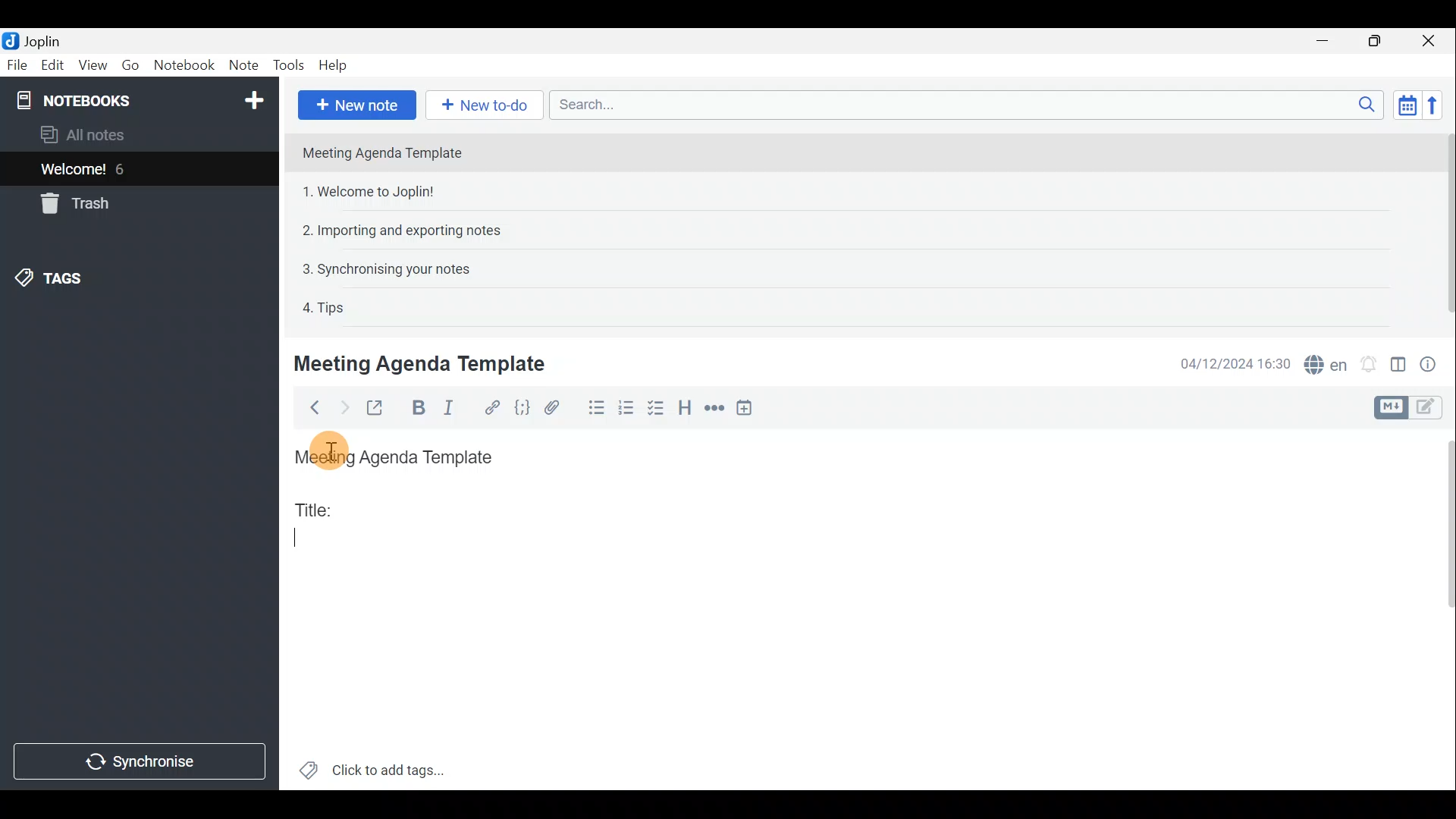 This screenshot has width=1456, height=819. Describe the element at coordinates (1228, 362) in the screenshot. I see `04/12/2024 16:30` at that location.